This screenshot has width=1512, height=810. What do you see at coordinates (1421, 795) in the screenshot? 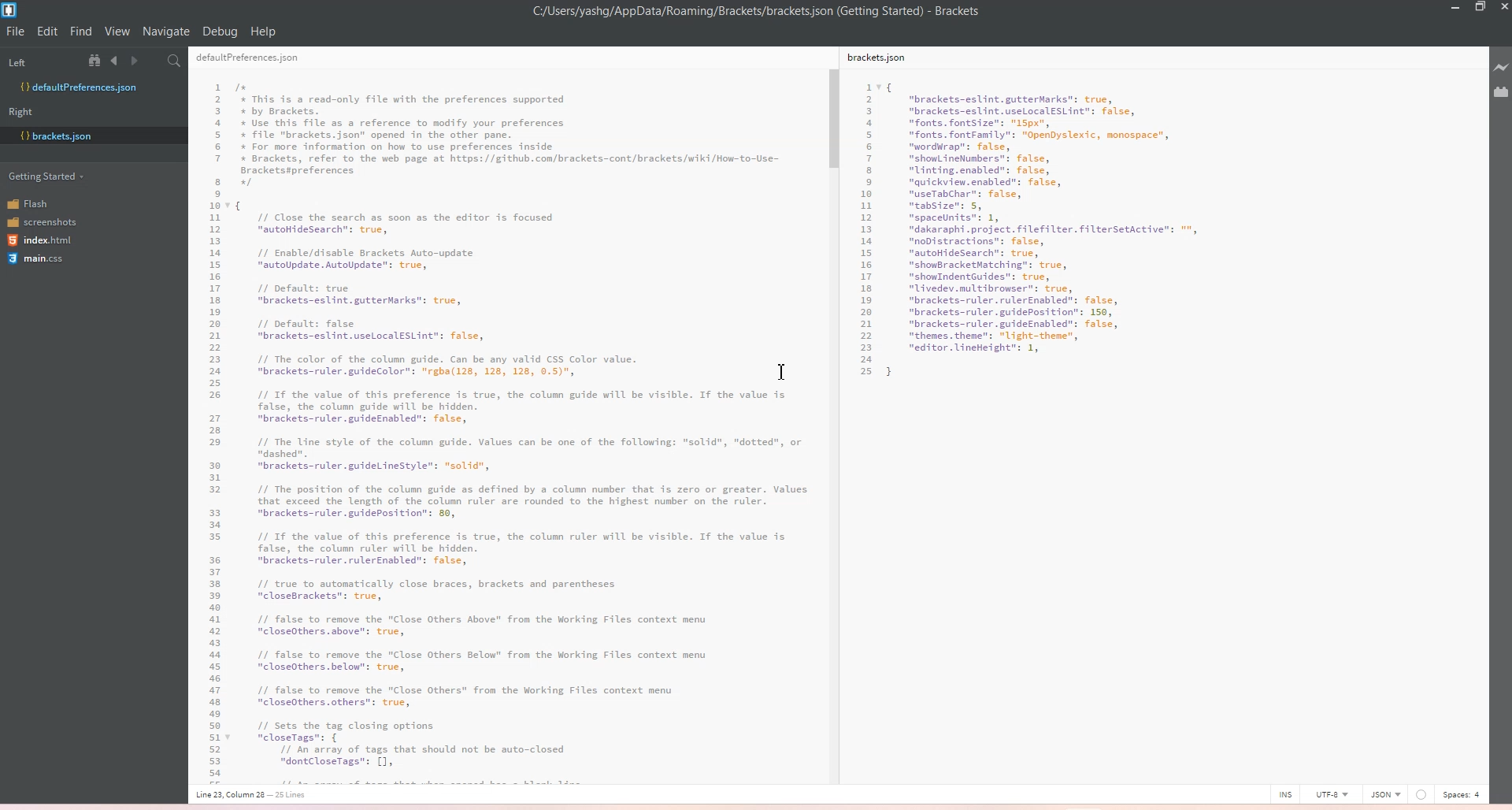
I see `No linter available` at bounding box center [1421, 795].